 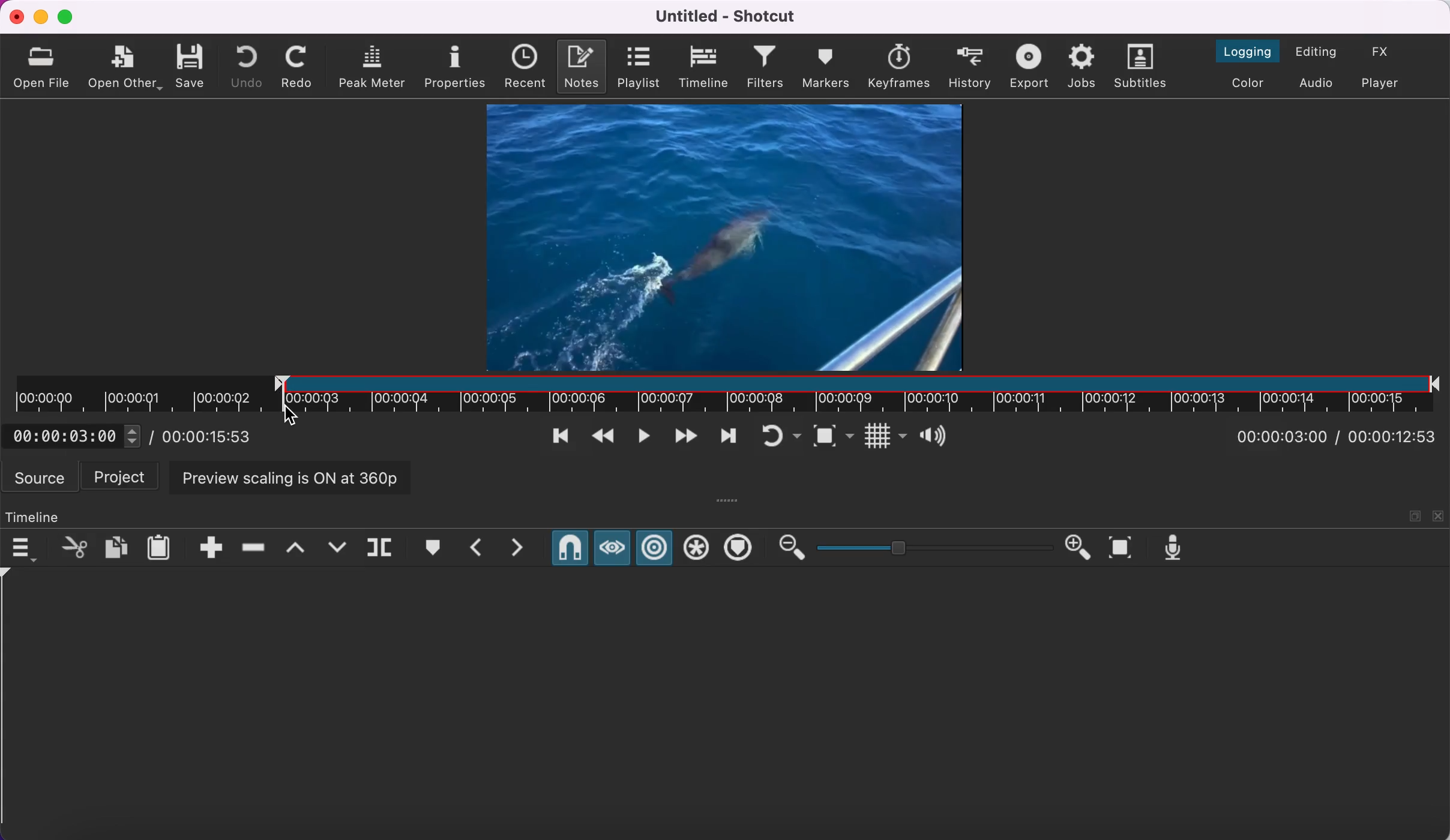 What do you see at coordinates (293, 548) in the screenshot?
I see `lift` at bounding box center [293, 548].